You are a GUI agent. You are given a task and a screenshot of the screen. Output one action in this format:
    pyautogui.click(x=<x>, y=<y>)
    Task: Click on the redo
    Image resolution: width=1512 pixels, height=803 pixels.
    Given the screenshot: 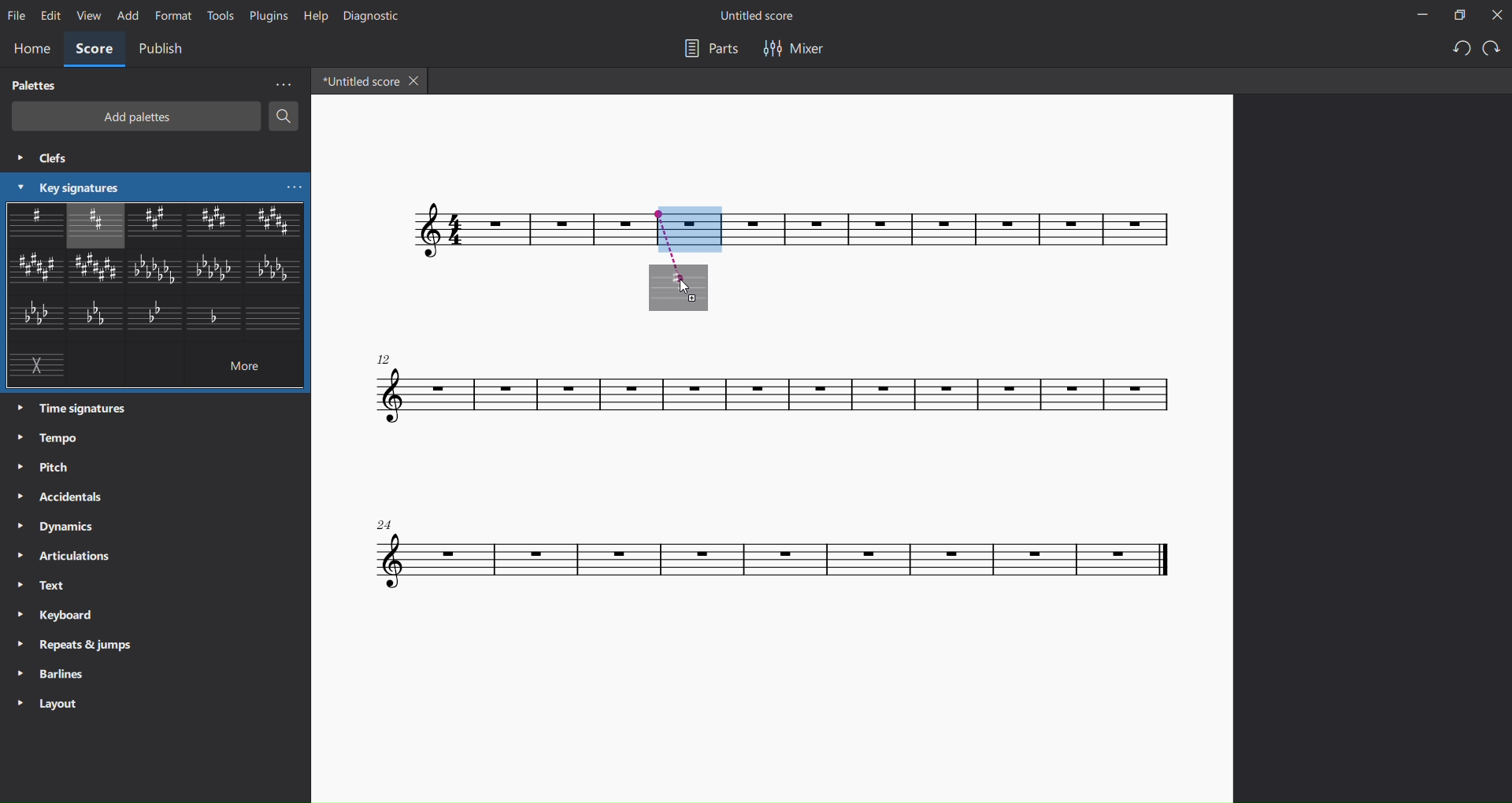 What is the action you would take?
    pyautogui.click(x=1491, y=48)
    